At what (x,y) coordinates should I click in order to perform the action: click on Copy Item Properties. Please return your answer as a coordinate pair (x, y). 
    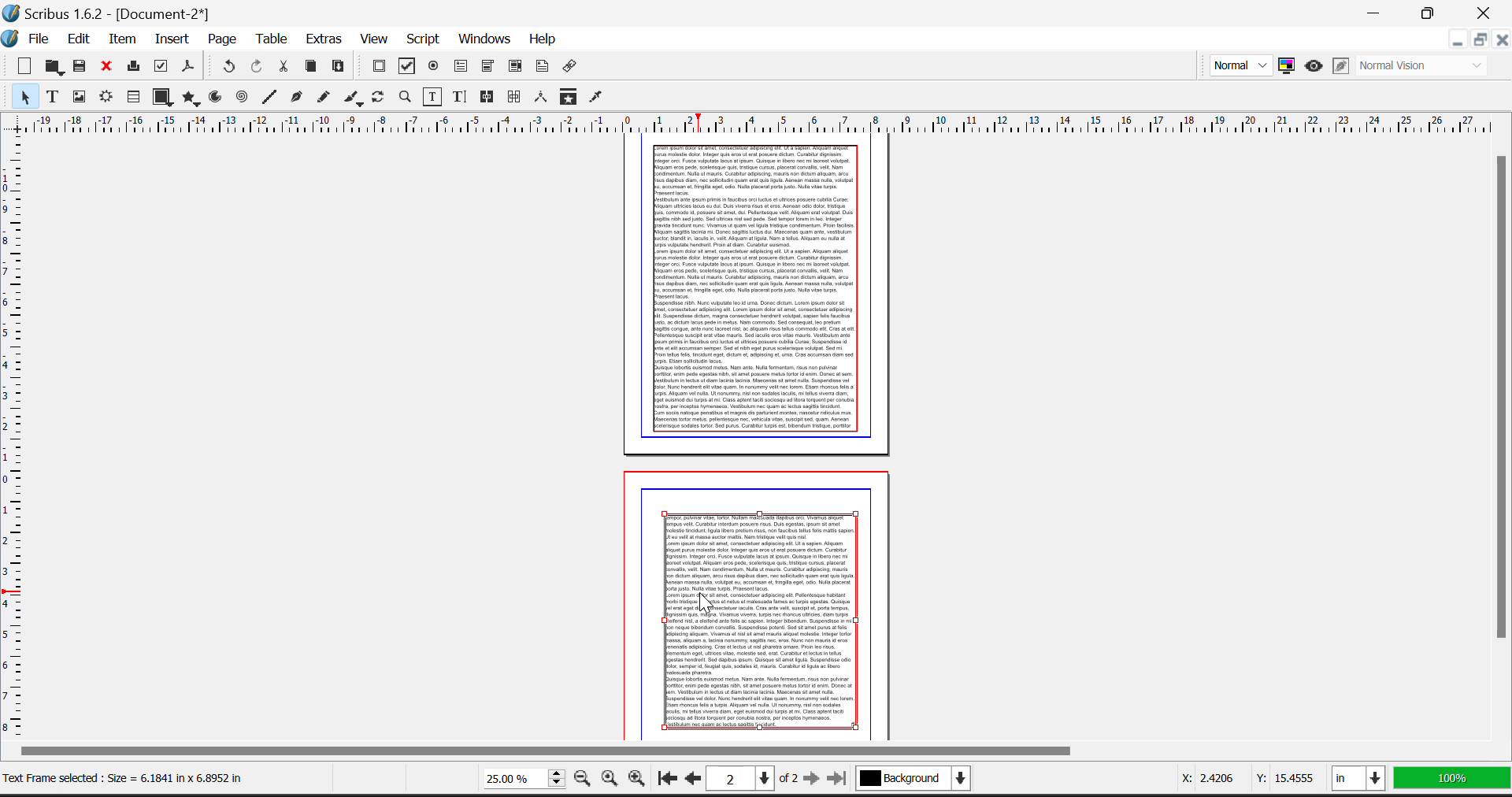
    Looking at the image, I should click on (568, 98).